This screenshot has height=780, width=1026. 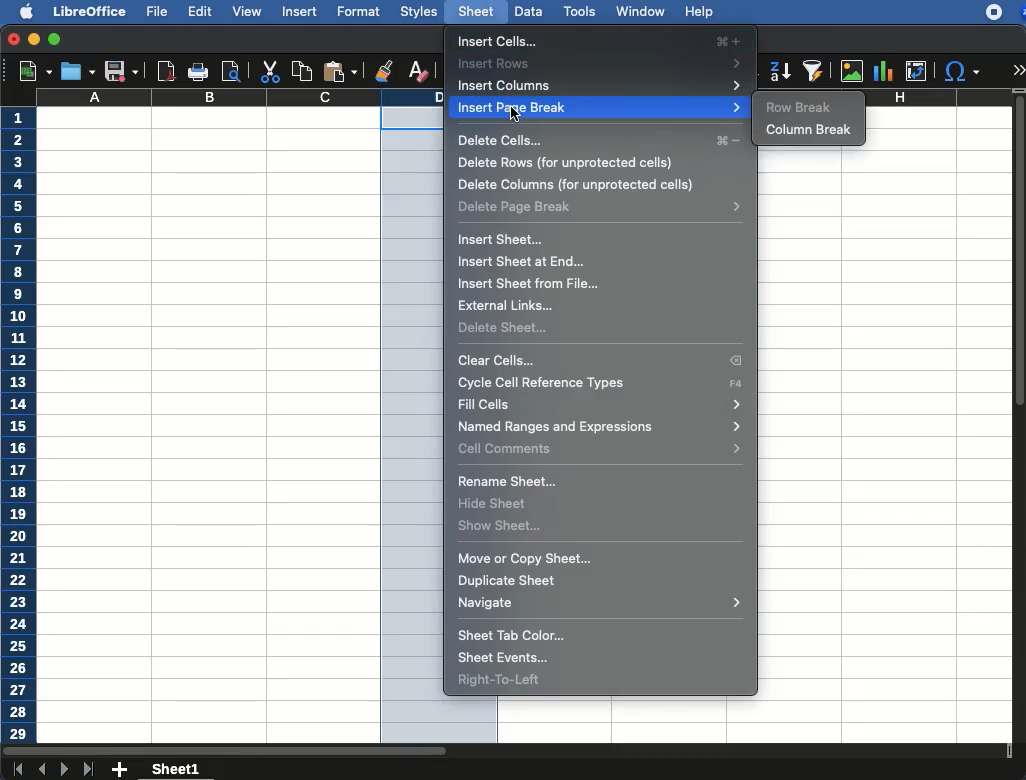 I want to click on format, so click(x=359, y=12).